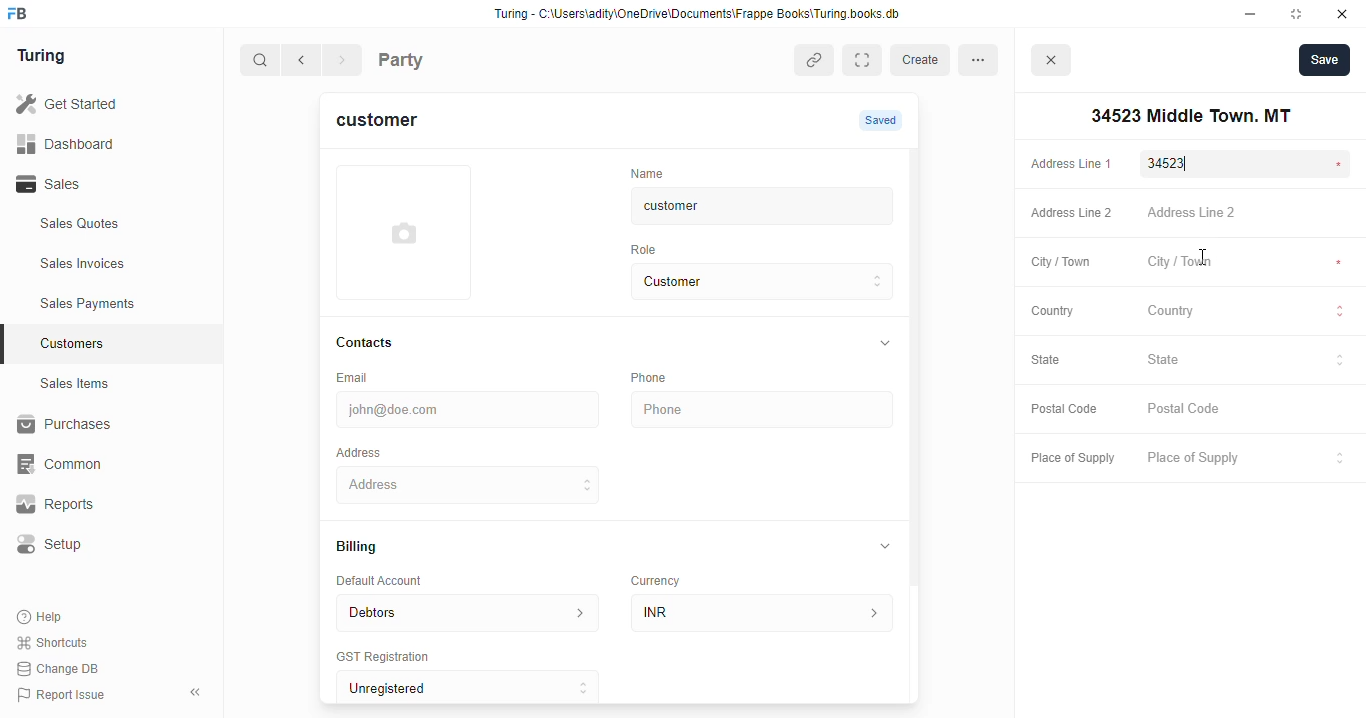 This screenshot has width=1366, height=718. What do you see at coordinates (107, 226) in the screenshot?
I see `Sales Quotes` at bounding box center [107, 226].